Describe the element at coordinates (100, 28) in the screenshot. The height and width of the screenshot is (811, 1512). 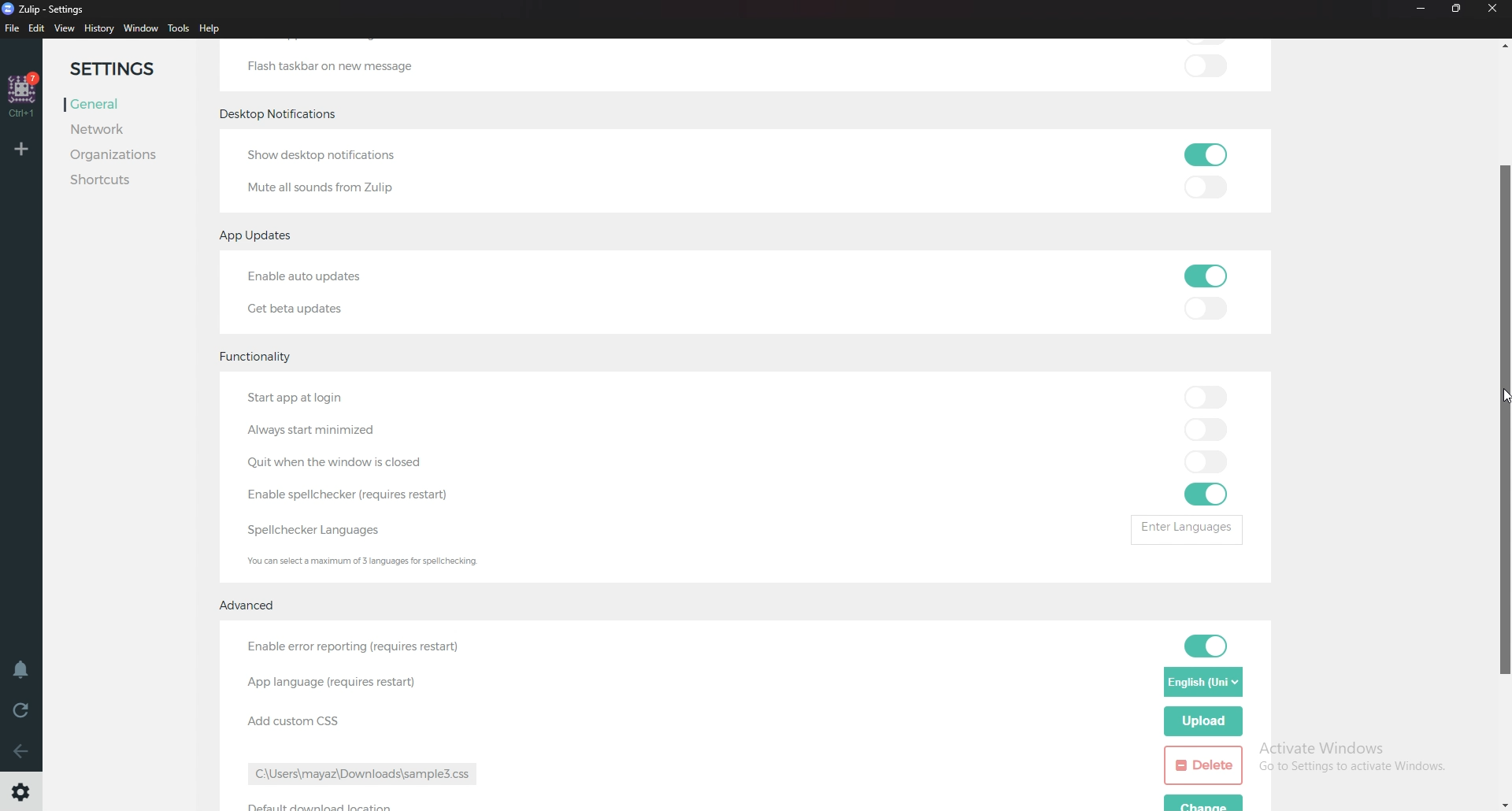
I see `History` at that location.